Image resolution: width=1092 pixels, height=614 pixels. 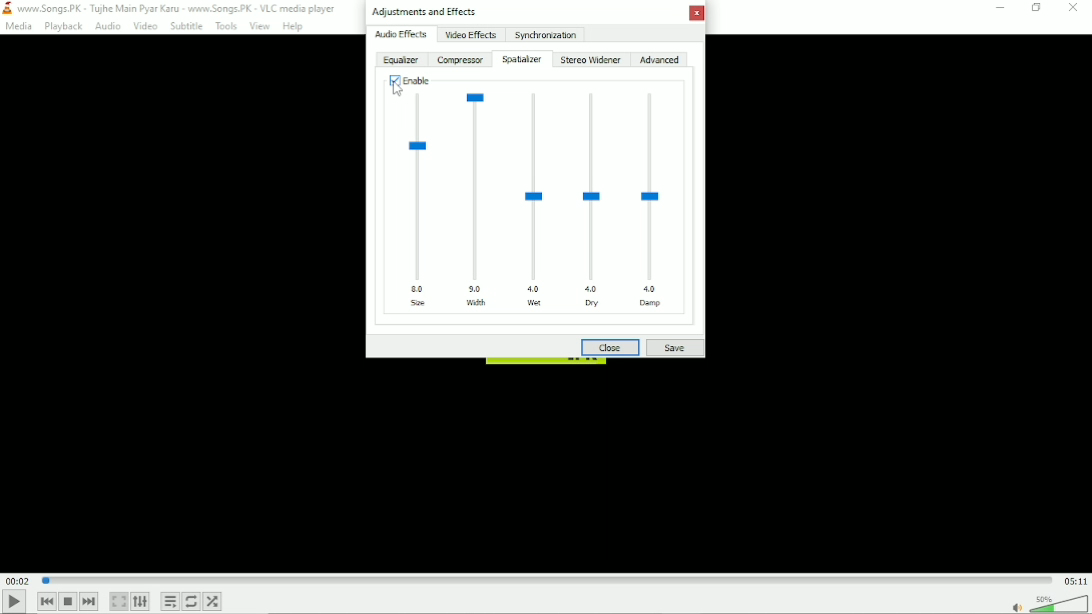 What do you see at coordinates (140, 602) in the screenshot?
I see `Show extended settings` at bounding box center [140, 602].